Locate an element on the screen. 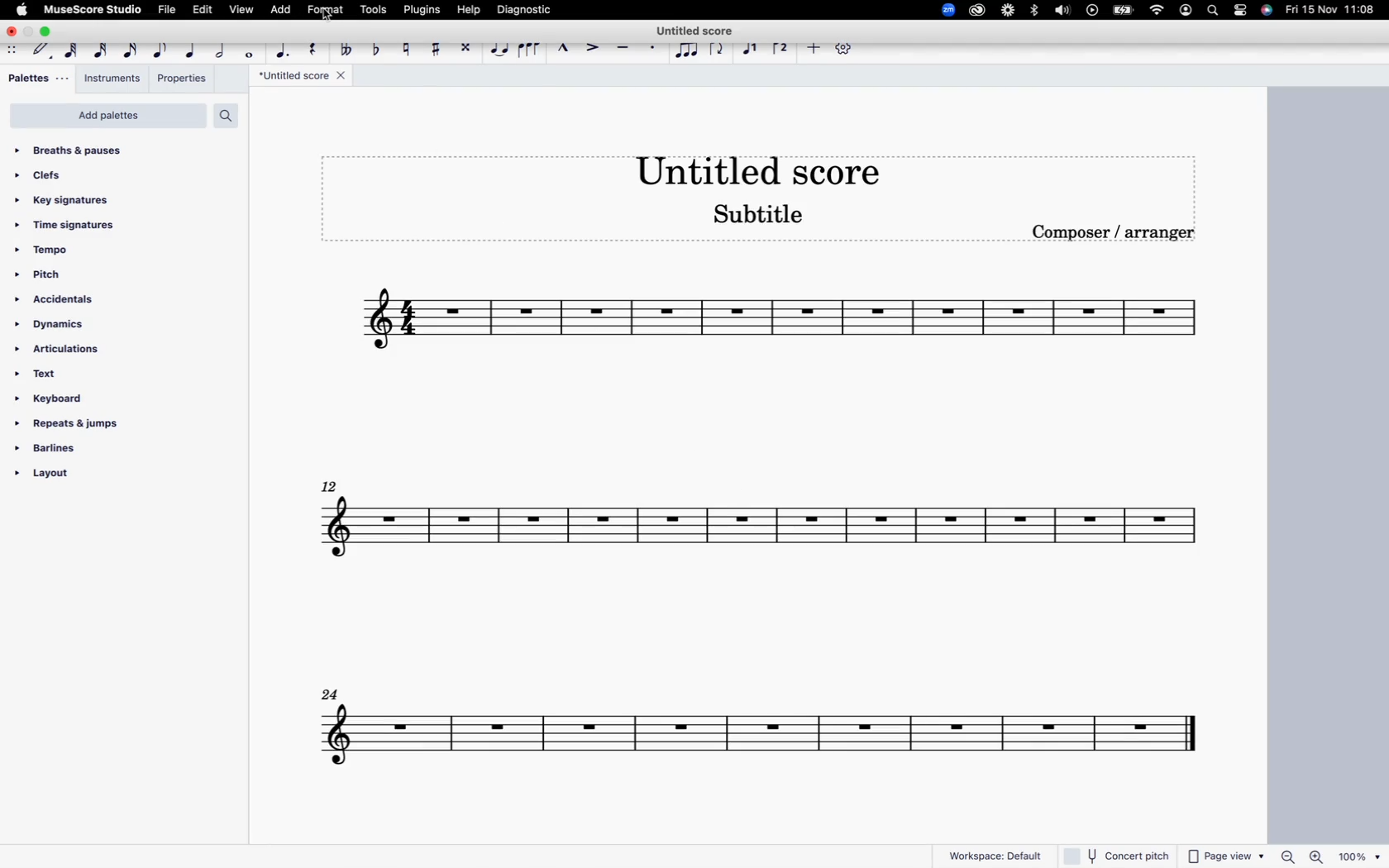 This screenshot has height=868, width=1389. maximize is located at coordinates (48, 32).